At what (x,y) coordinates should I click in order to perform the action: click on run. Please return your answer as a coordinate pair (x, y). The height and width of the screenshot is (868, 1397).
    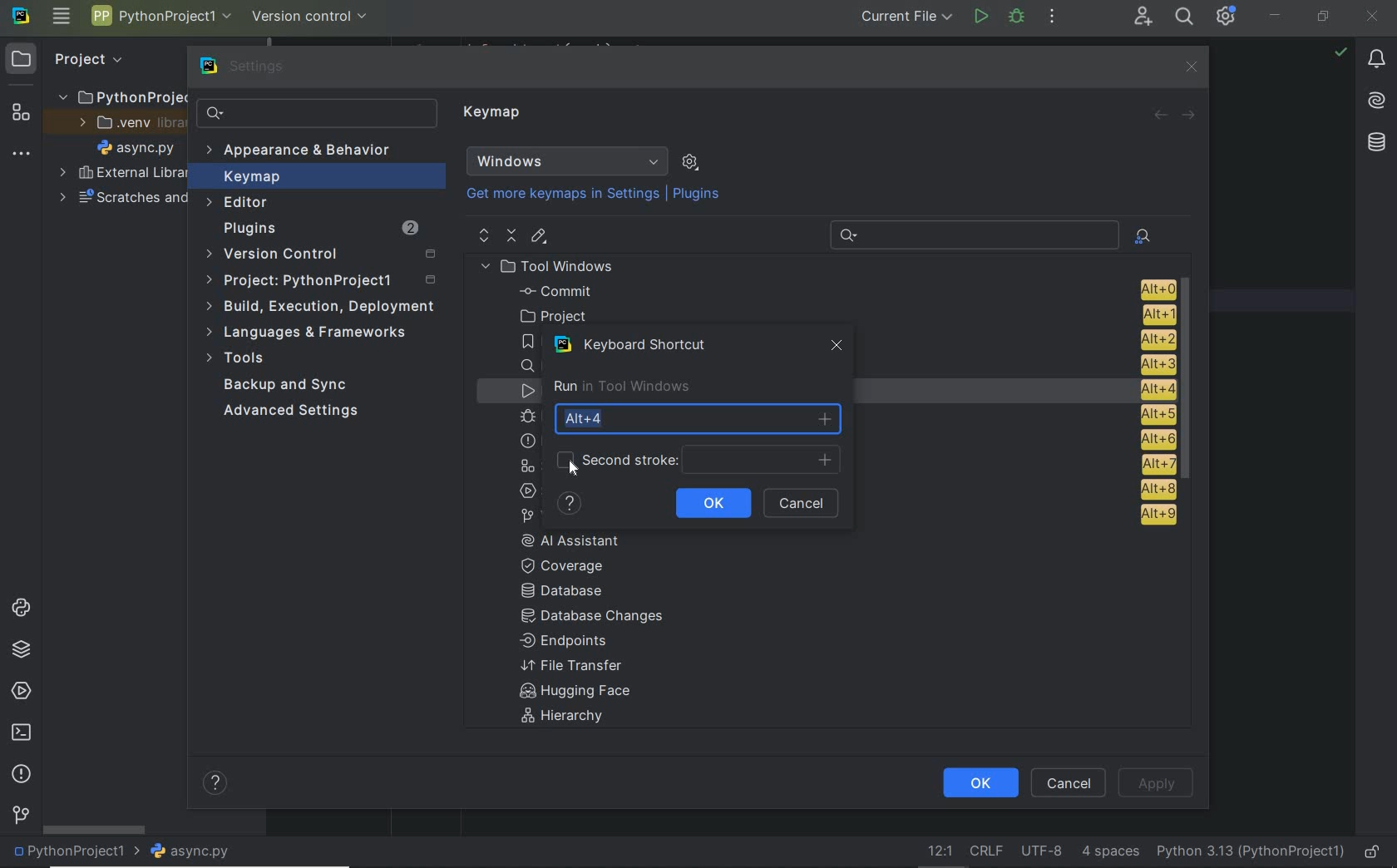
    Looking at the image, I should click on (980, 18).